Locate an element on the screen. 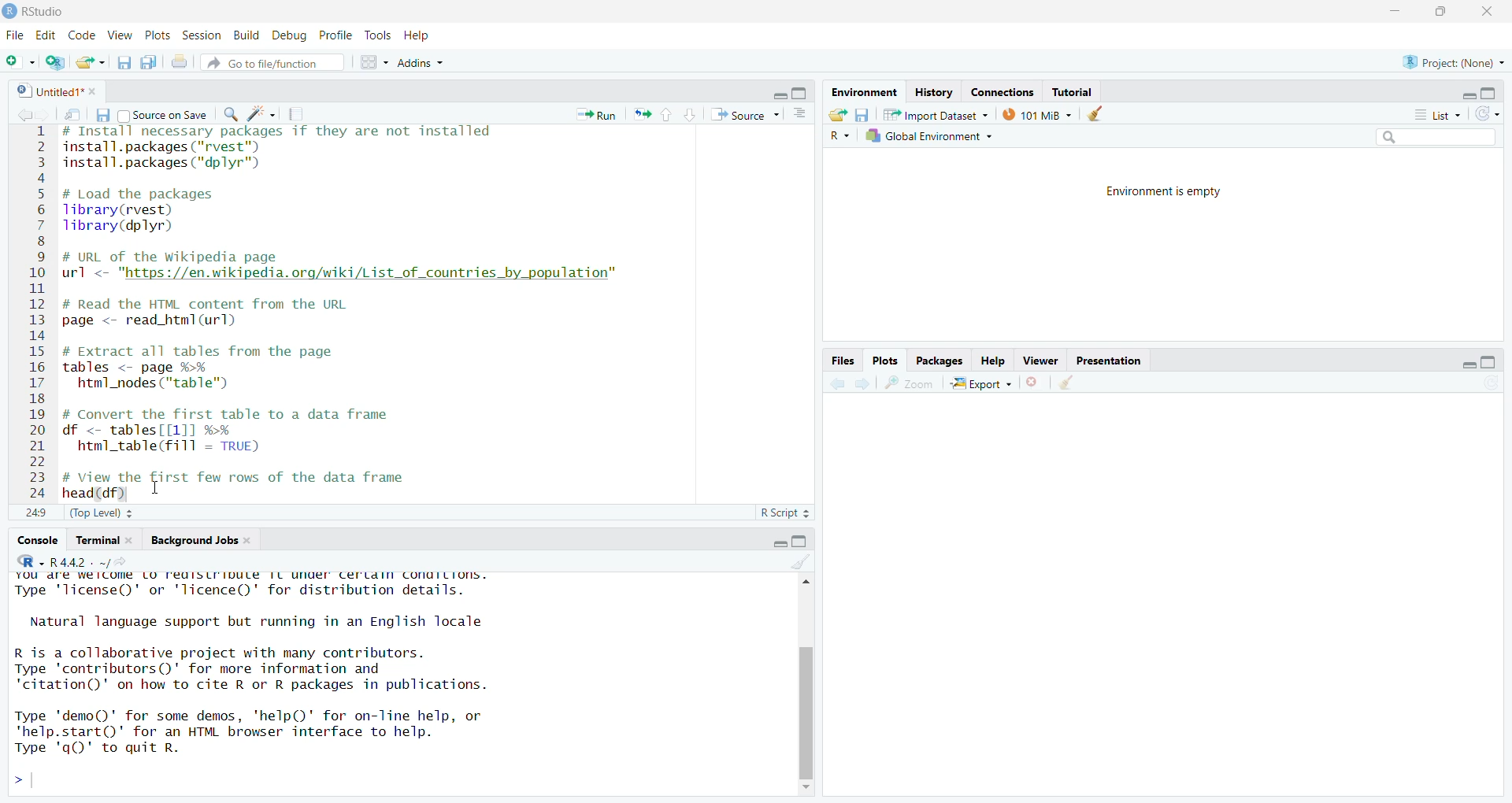 This screenshot has height=803, width=1512. Build is located at coordinates (248, 36).